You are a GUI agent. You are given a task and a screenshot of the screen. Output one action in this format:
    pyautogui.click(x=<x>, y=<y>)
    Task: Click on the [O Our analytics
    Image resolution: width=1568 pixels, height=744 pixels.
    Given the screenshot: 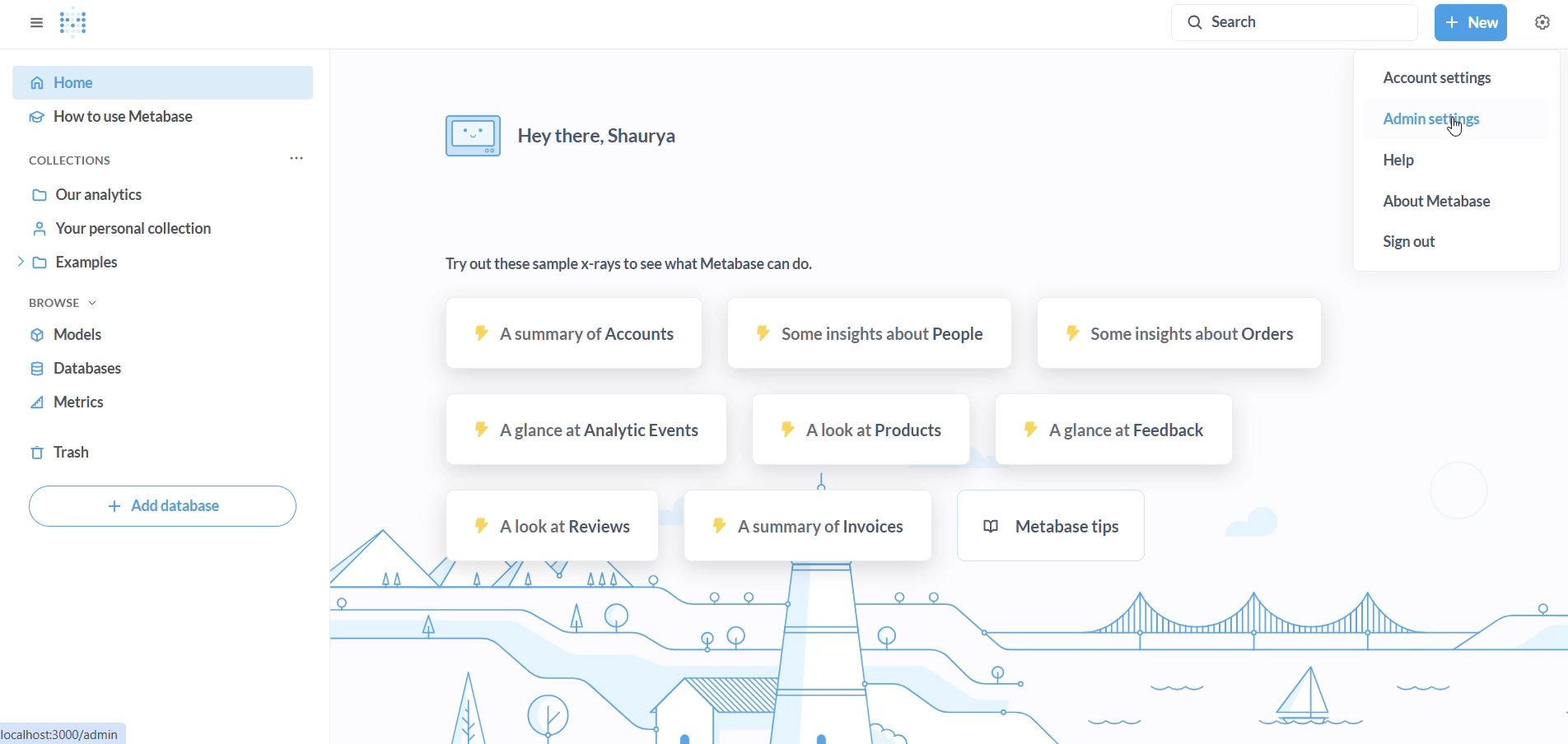 What is the action you would take?
    pyautogui.click(x=86, y=193)
    